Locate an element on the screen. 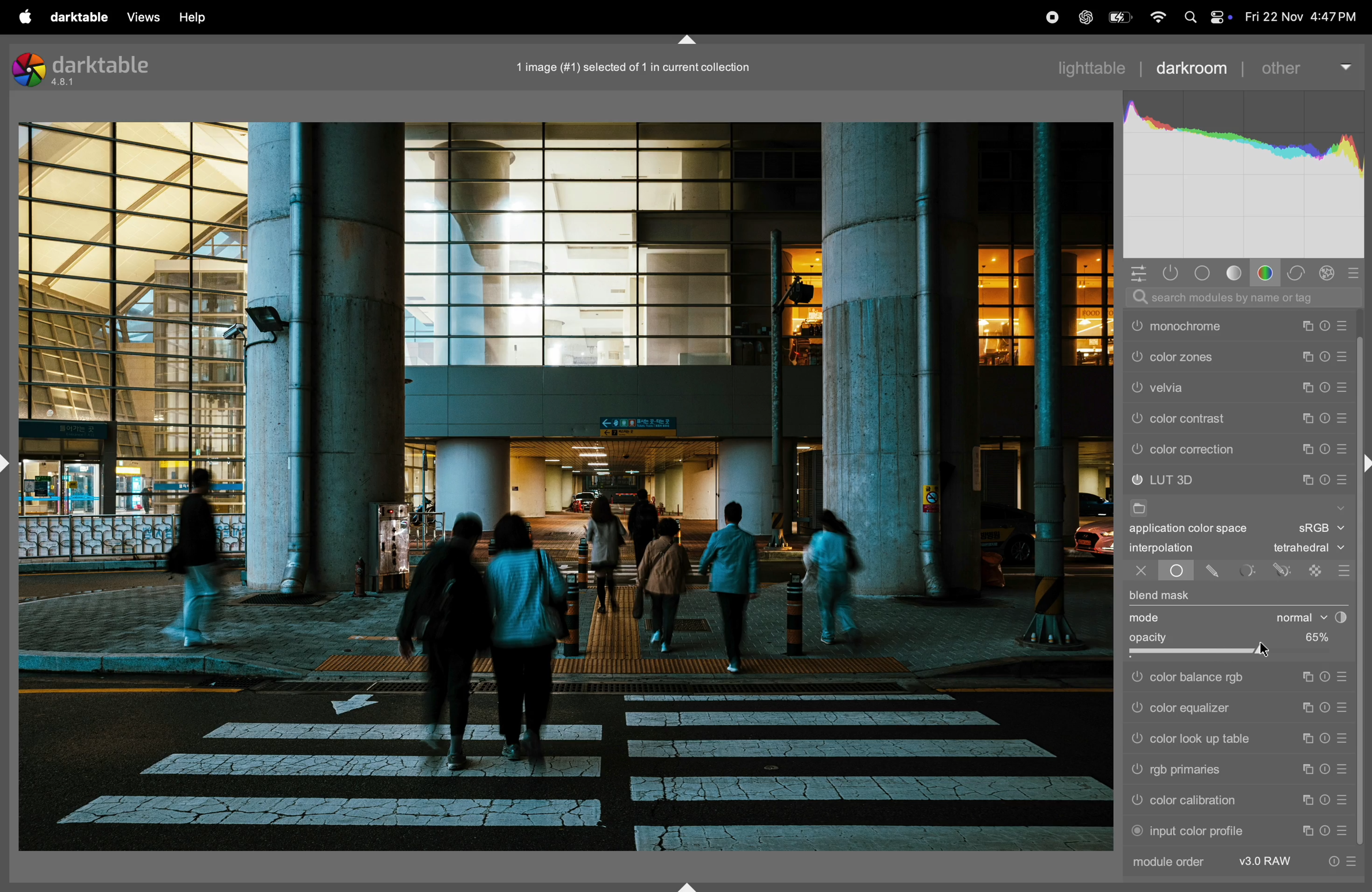  lighttable is located at coordinates (1090, 70).